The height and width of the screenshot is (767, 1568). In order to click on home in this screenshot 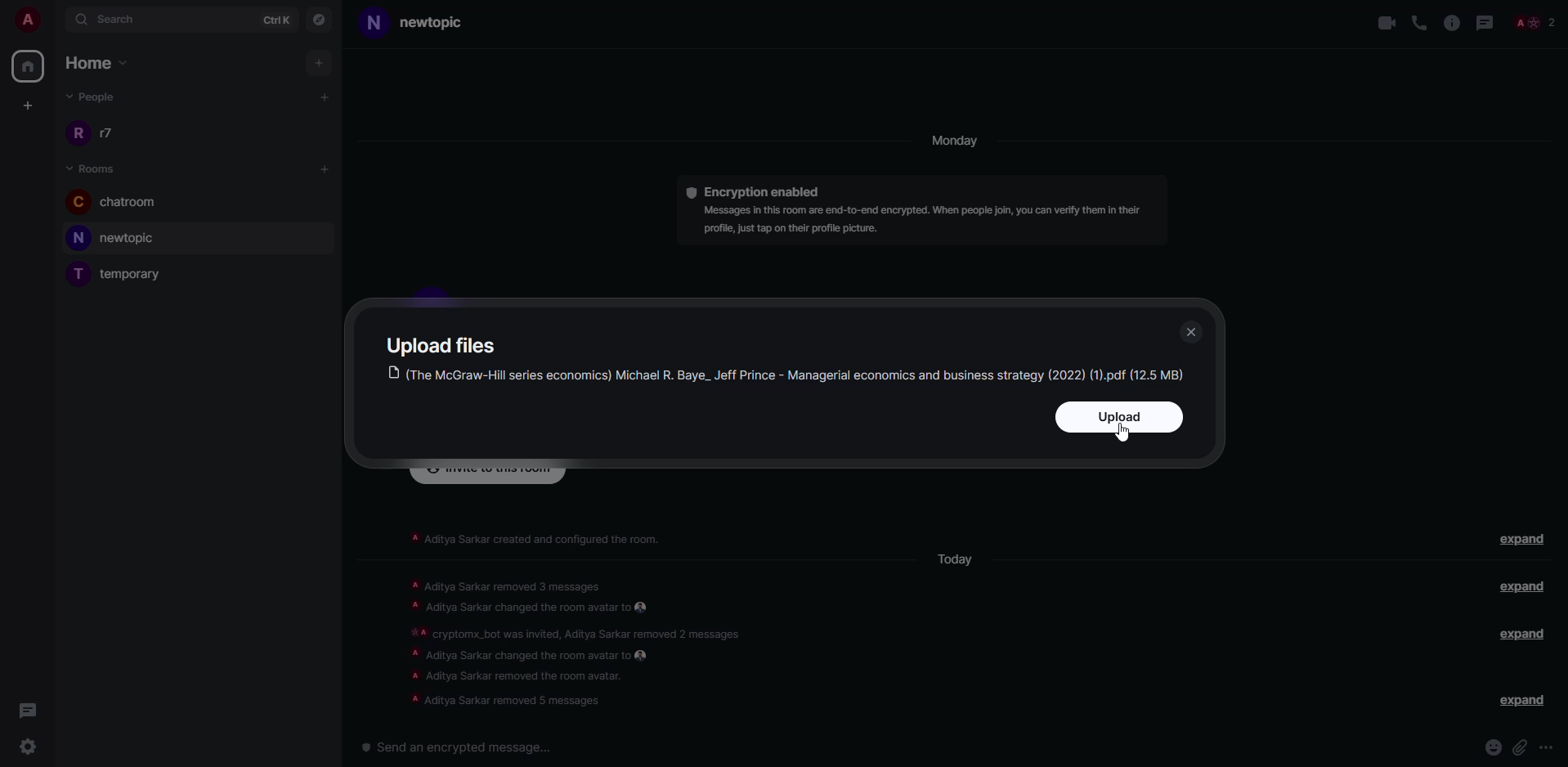, I will do `click(101, 61)`.